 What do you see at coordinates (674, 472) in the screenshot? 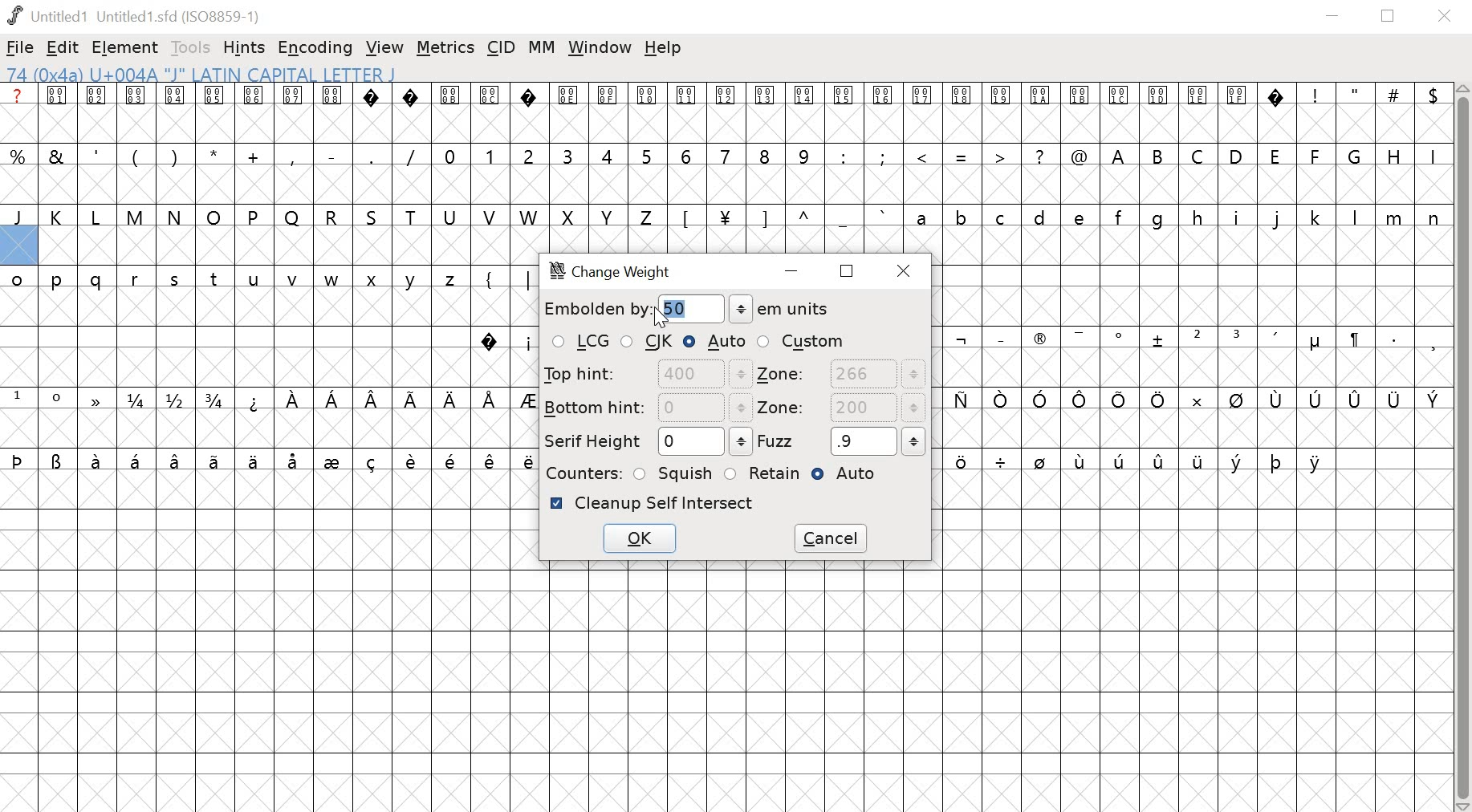
I see `SQUISH` at bounding box center [674, 472].